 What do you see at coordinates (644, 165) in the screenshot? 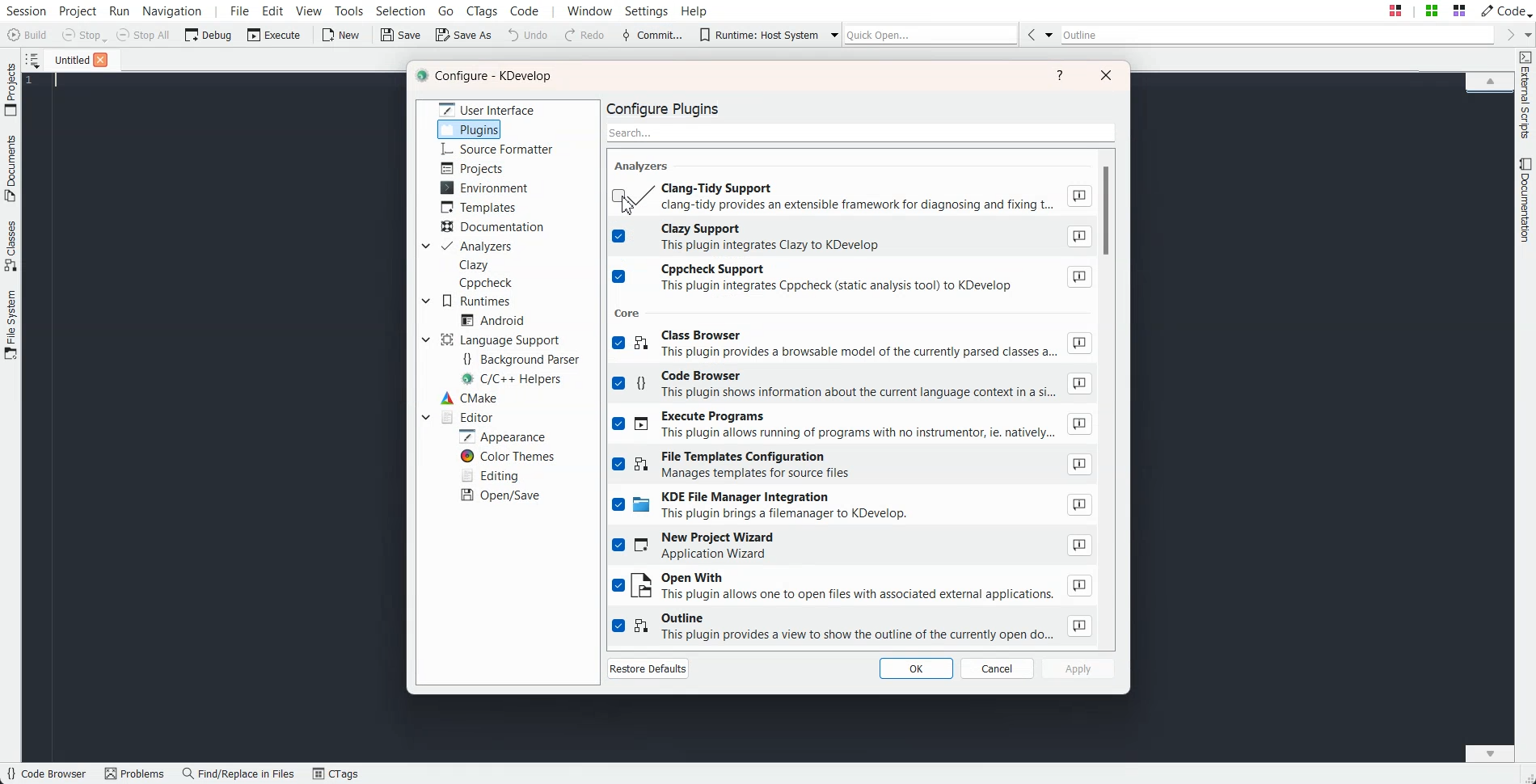
I see `Text` at bounding box center [644, 165].